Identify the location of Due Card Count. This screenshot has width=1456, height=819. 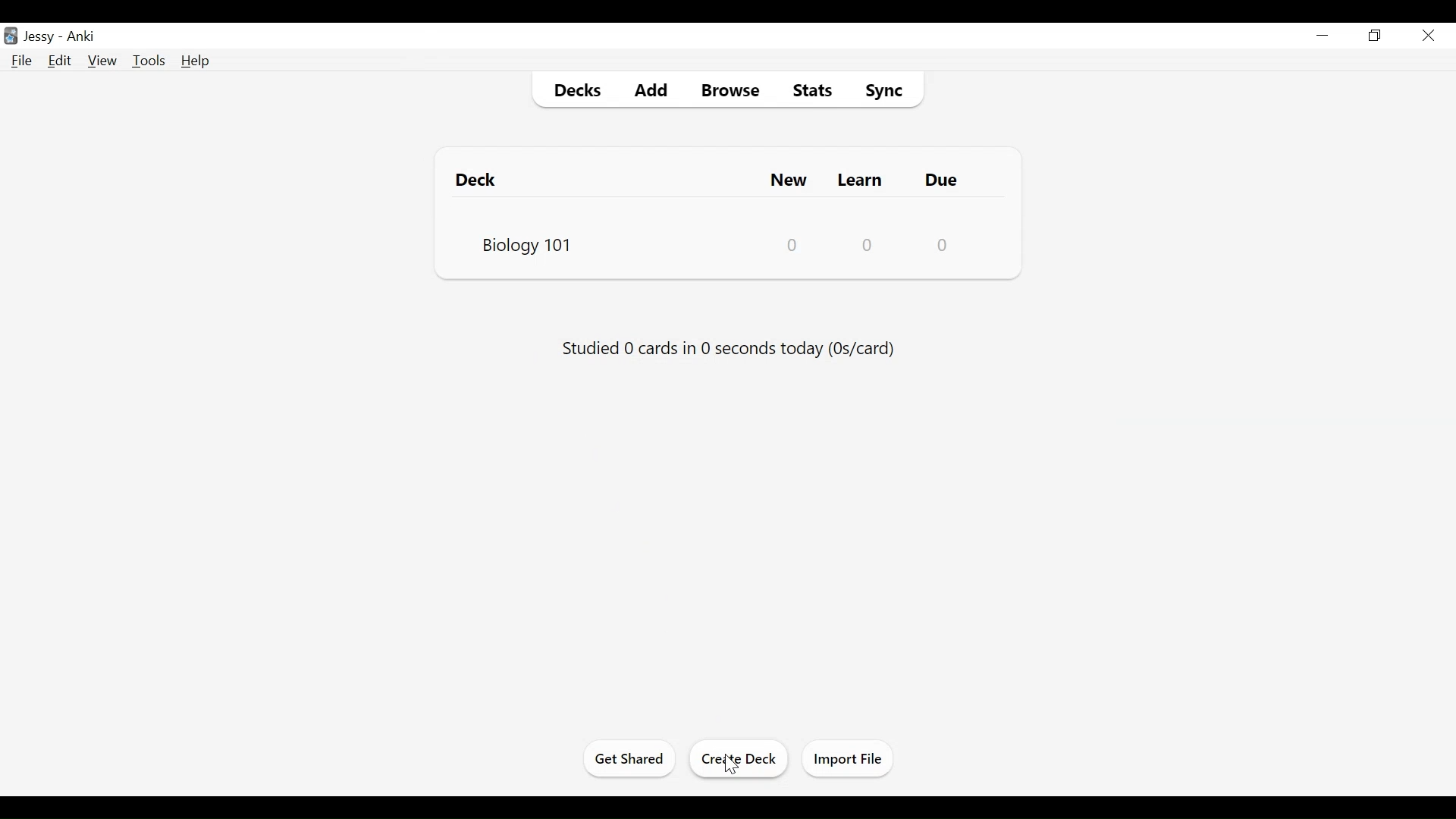
(943, 244).